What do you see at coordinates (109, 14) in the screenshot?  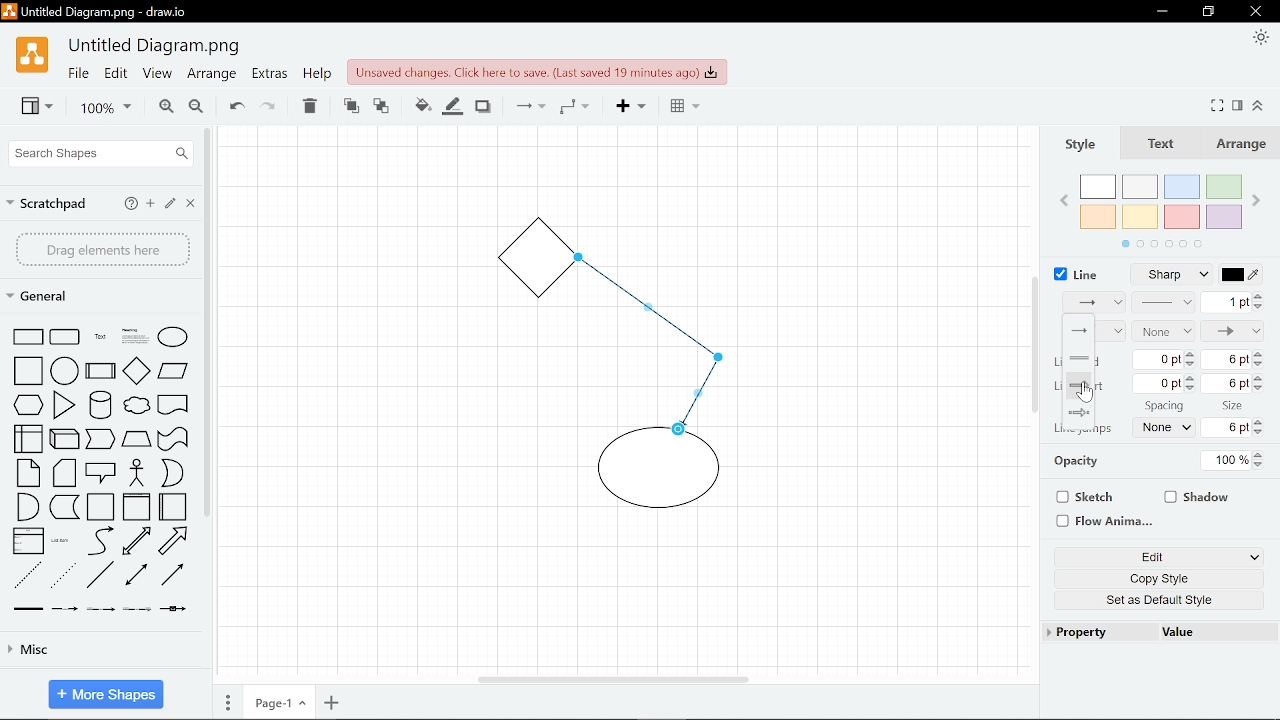 I see `Untitled Diagram.png - draw.io` at bounding box center [109, 14].